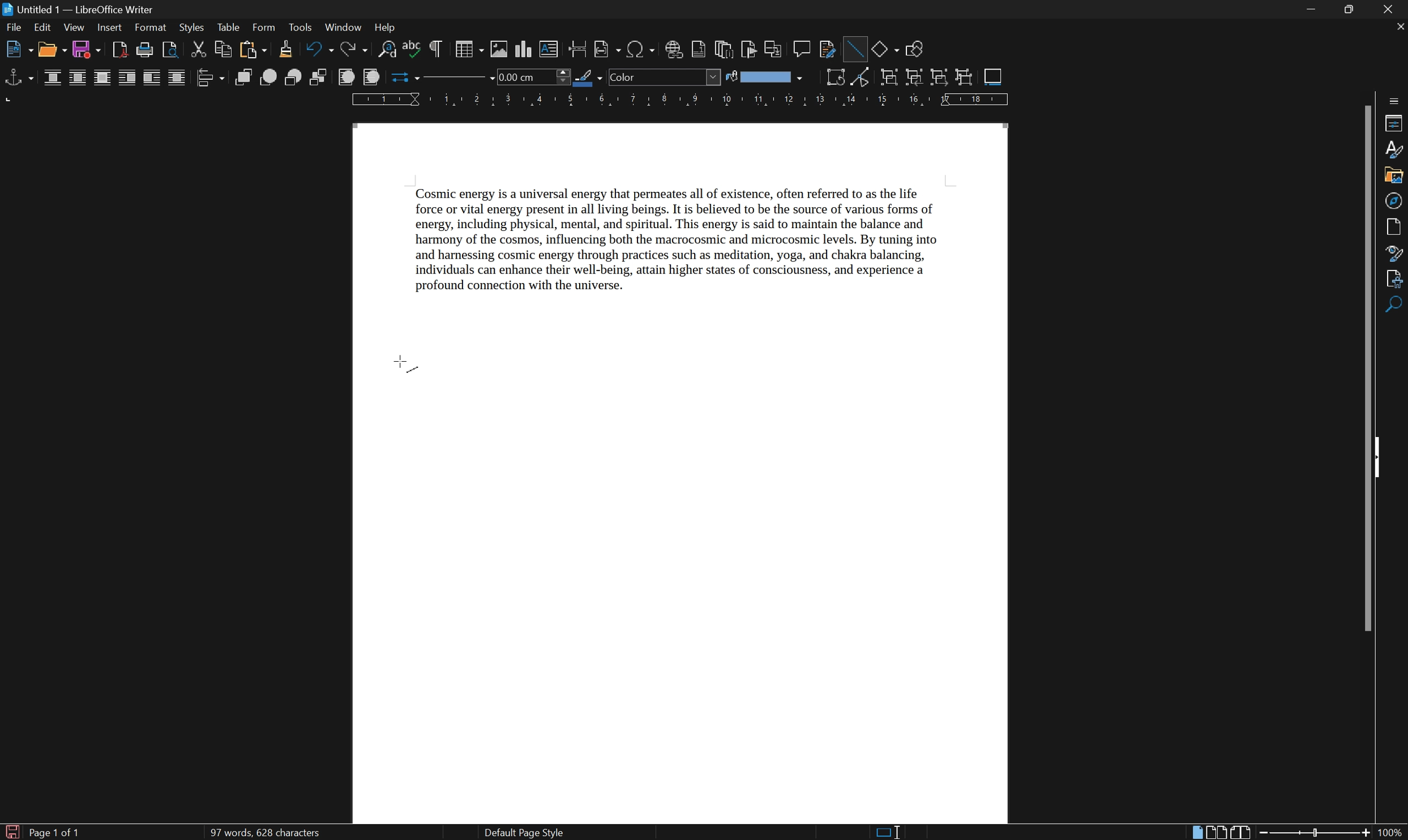  Describe the element at coordinates (343, 27) in the screenshot. I see `window` at that location.